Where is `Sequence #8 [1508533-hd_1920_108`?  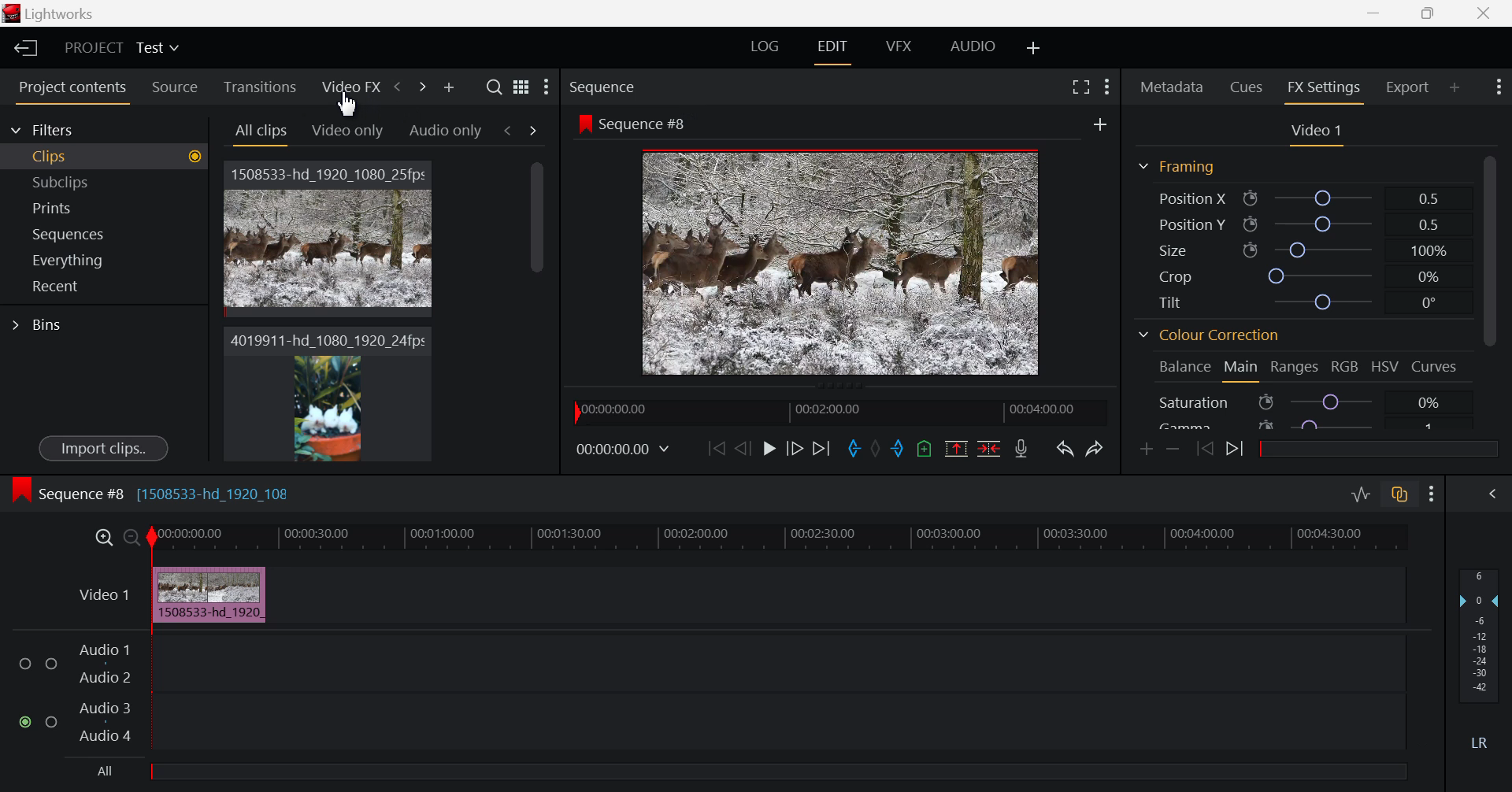
Sequence #8 [1508533-hd_1920_108 is located at coordinates (165, 495).